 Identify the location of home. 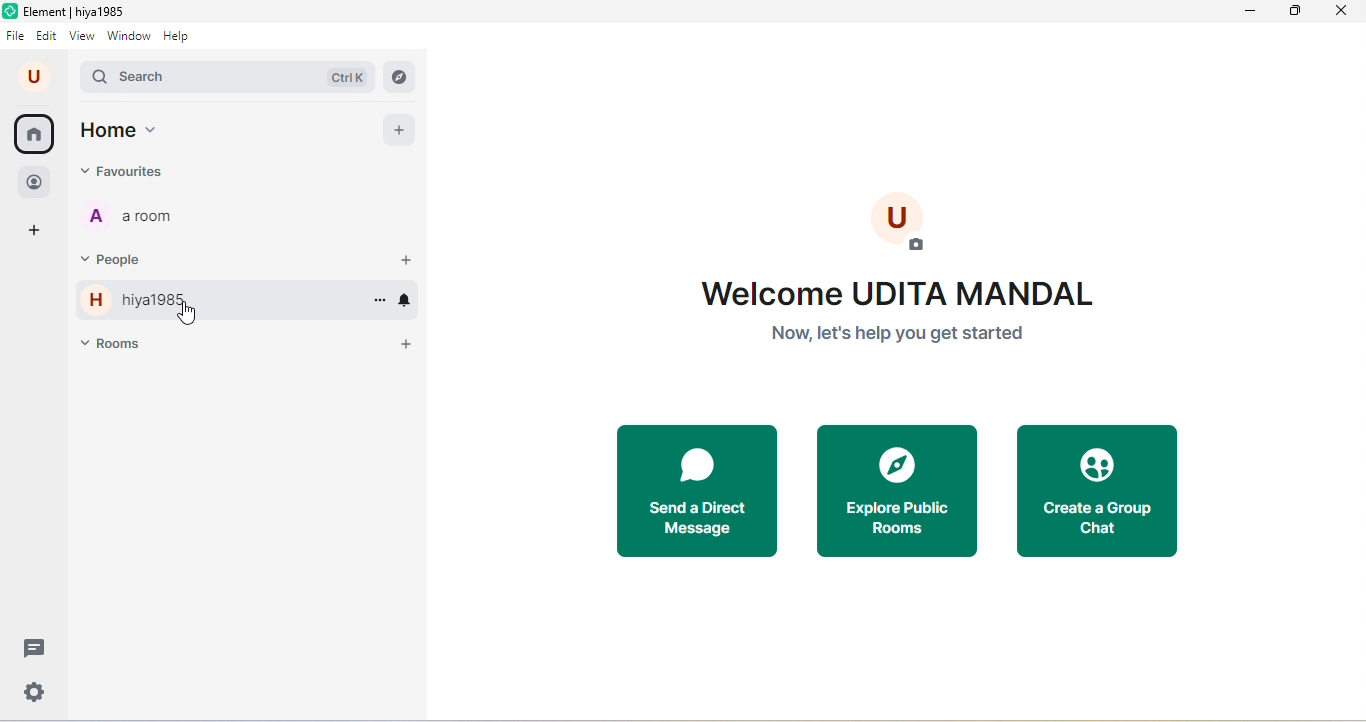
(36, 134).